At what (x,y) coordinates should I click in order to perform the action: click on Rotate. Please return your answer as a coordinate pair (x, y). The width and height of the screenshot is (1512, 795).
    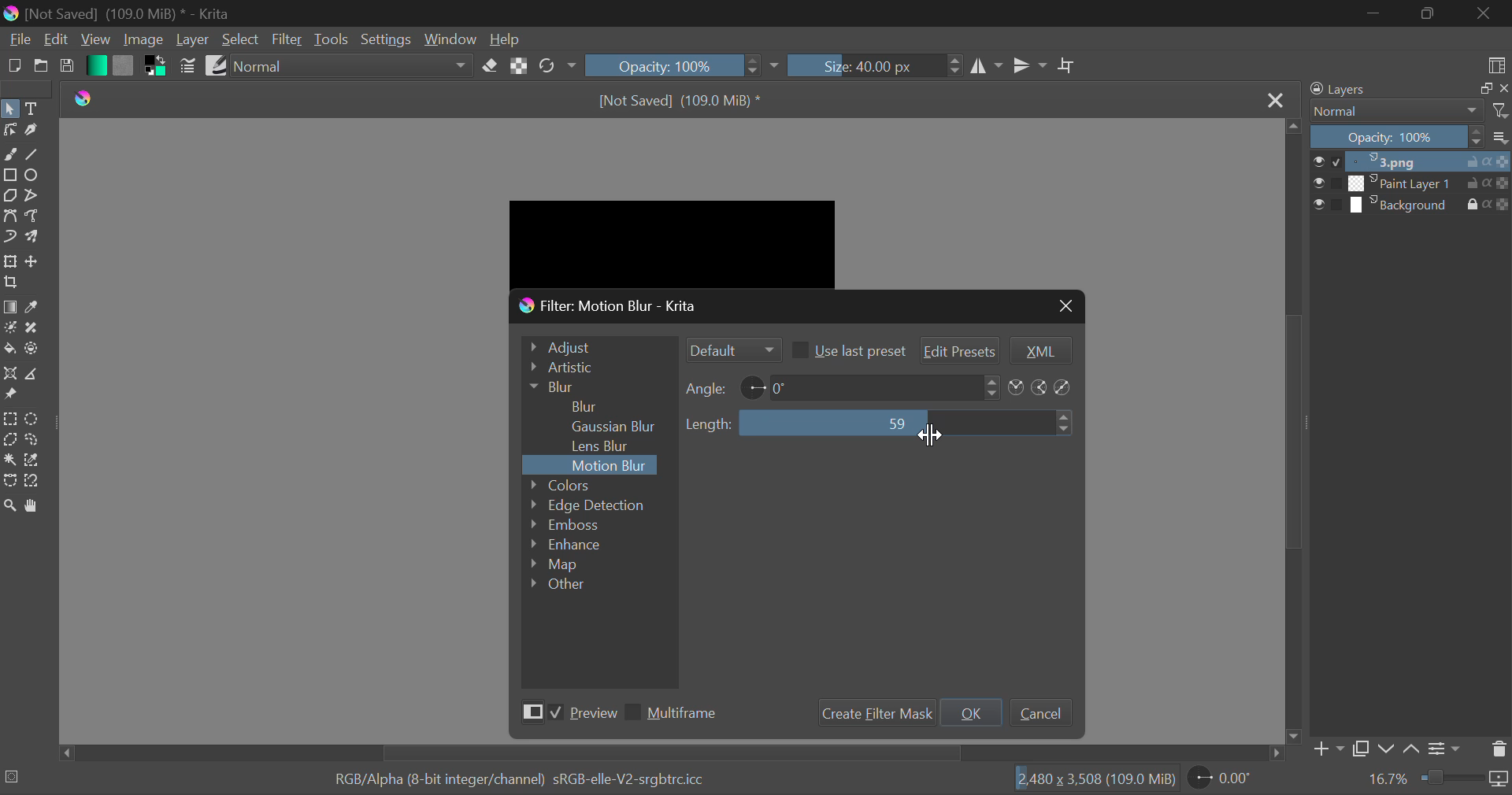
    Looking at the image, I should click on (558, 65).